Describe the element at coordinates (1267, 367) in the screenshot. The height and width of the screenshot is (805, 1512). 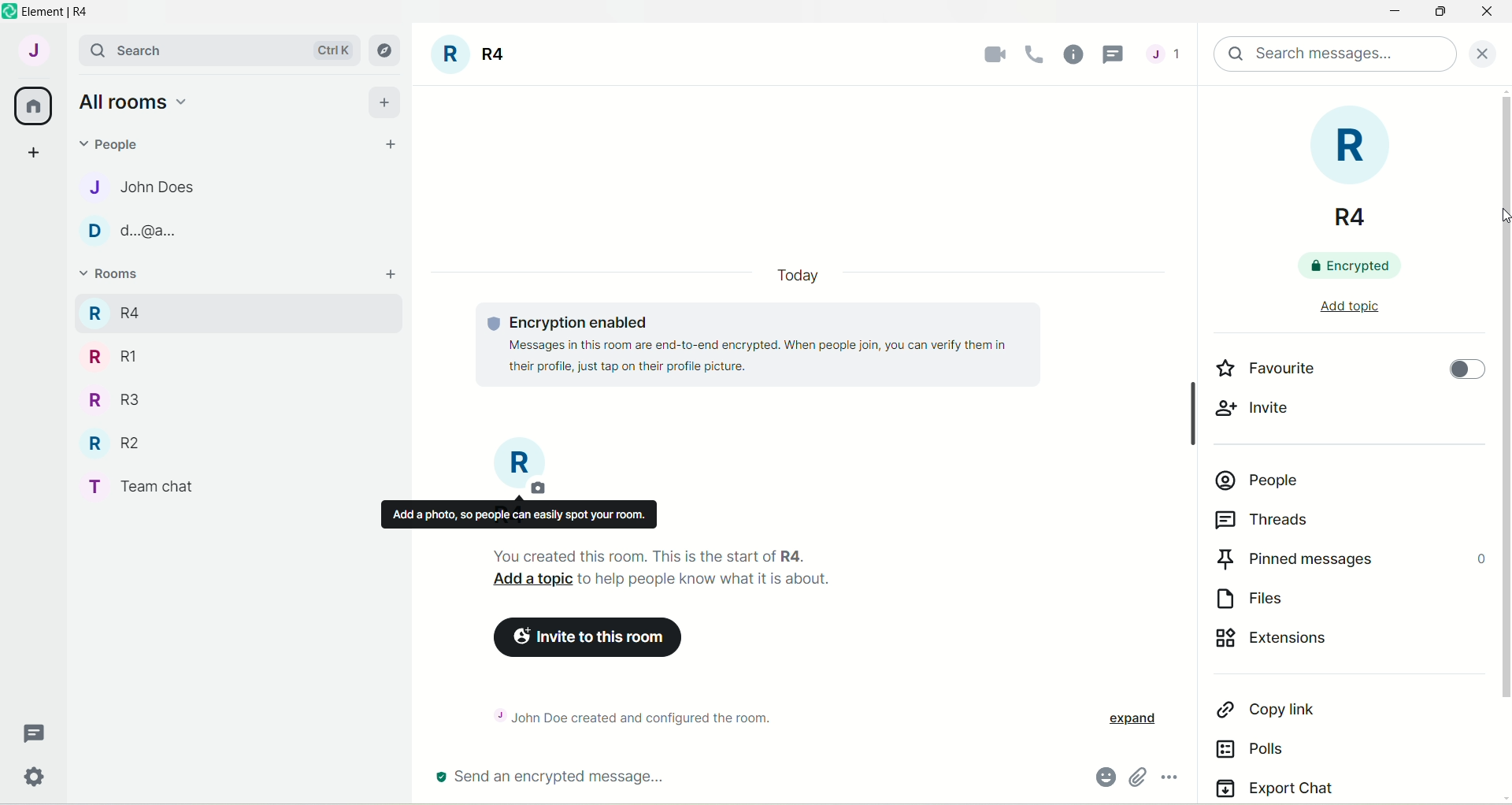
I see `favourite` at that location.